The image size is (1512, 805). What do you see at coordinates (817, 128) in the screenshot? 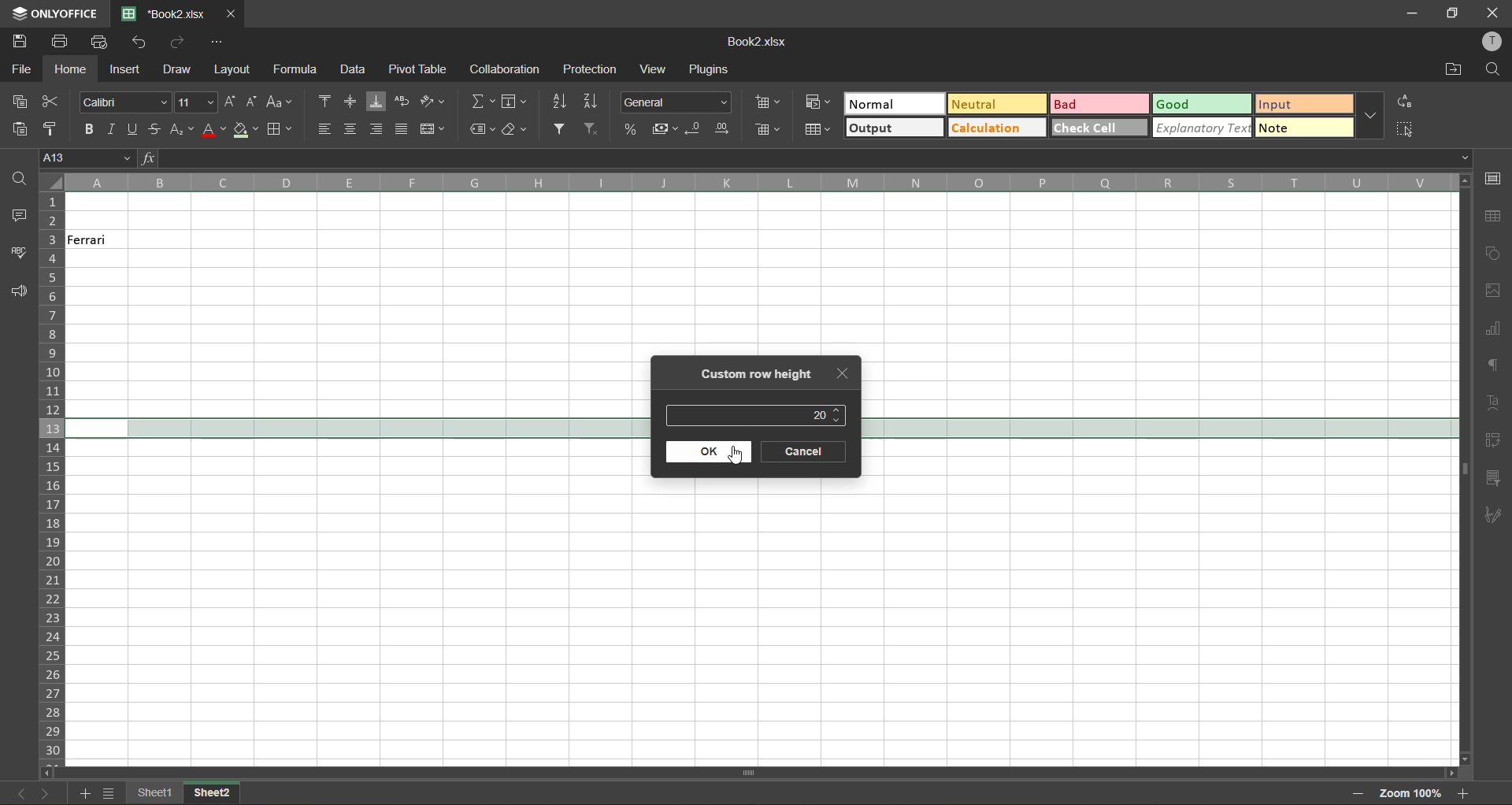
I see `format as table` at bounding box center [817, 128].